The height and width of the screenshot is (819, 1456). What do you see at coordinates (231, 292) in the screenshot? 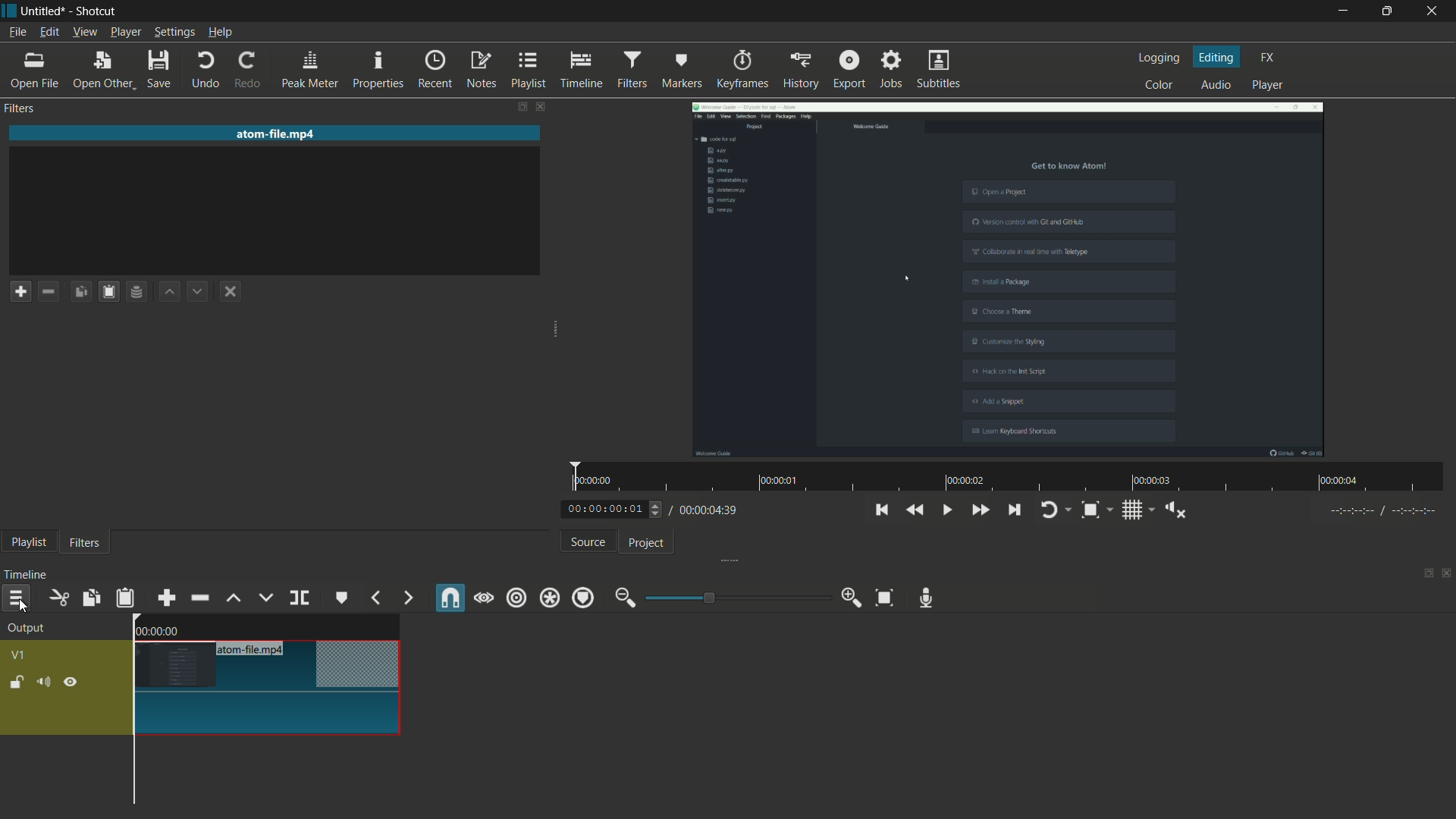
I see `deselect the filter` at bounding box center [231, 292].